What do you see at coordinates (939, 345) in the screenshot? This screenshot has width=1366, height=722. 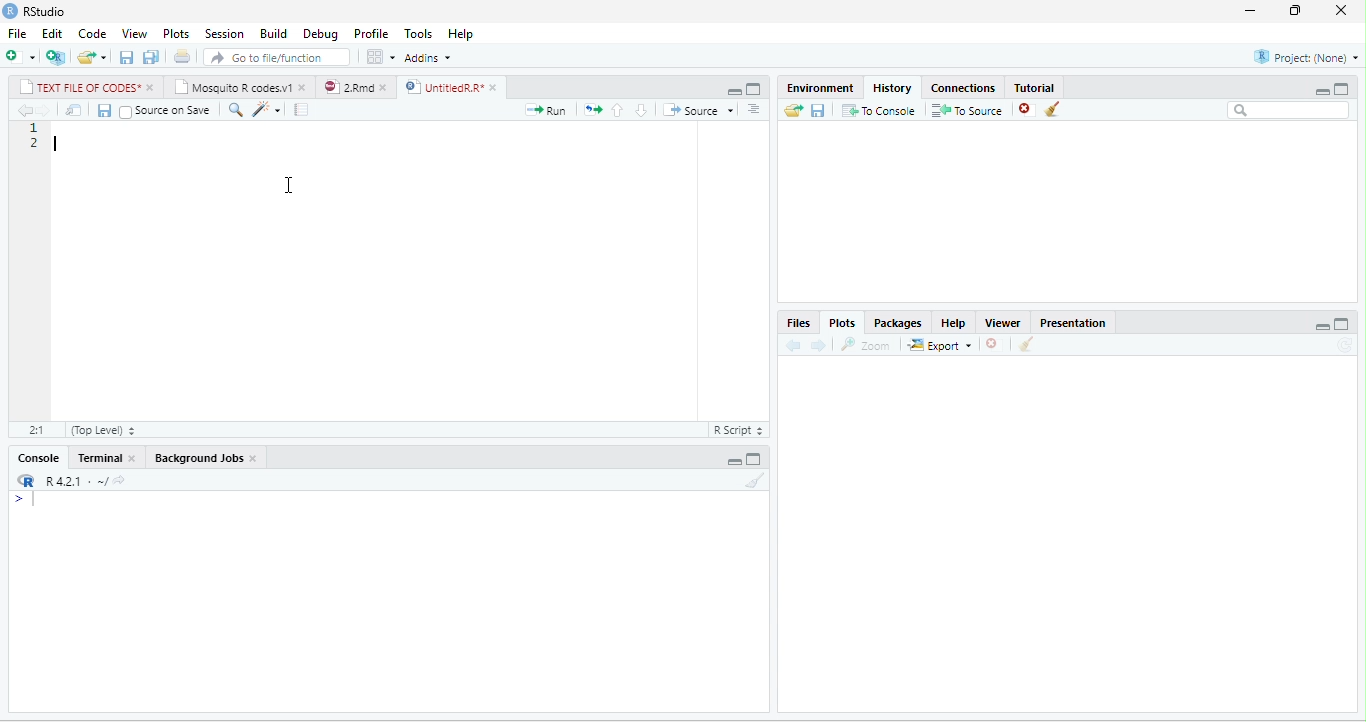 I see `Export` at bounding box center [939, 345].